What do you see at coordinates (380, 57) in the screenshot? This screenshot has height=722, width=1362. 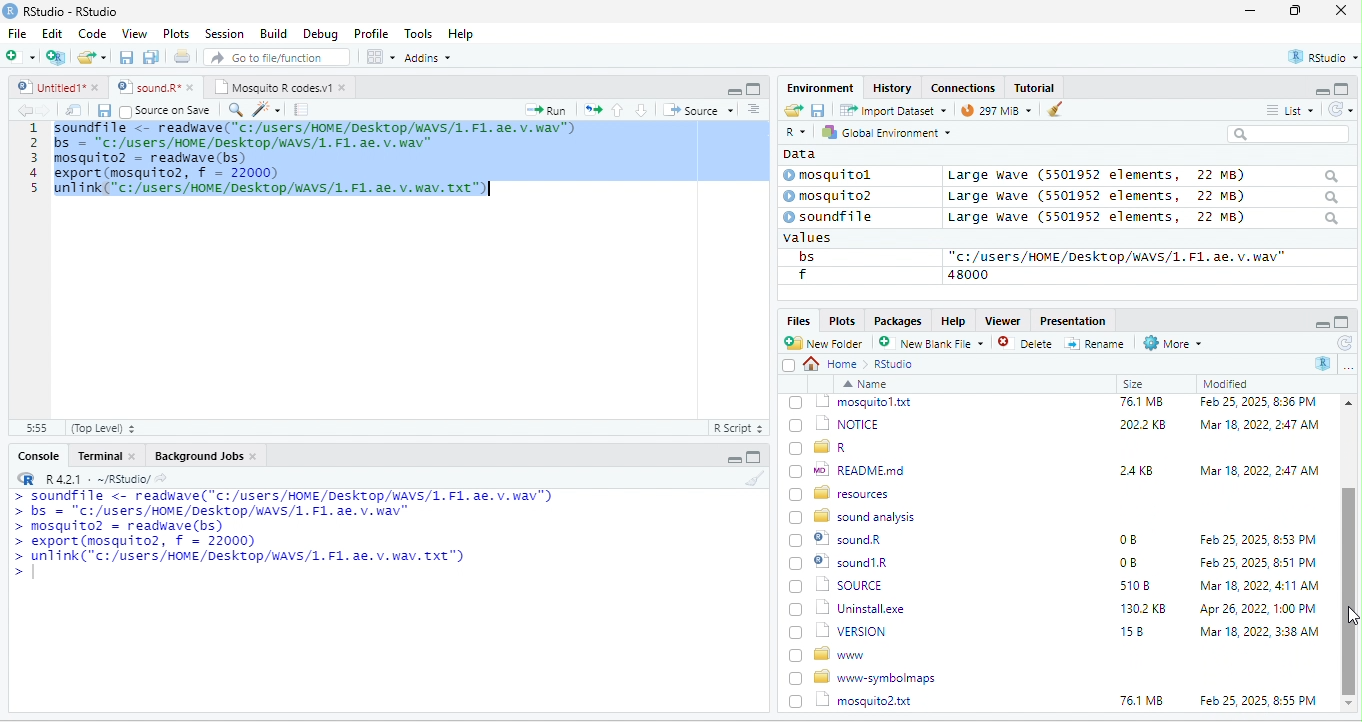 I see `view` at bounding box center [380, 57].